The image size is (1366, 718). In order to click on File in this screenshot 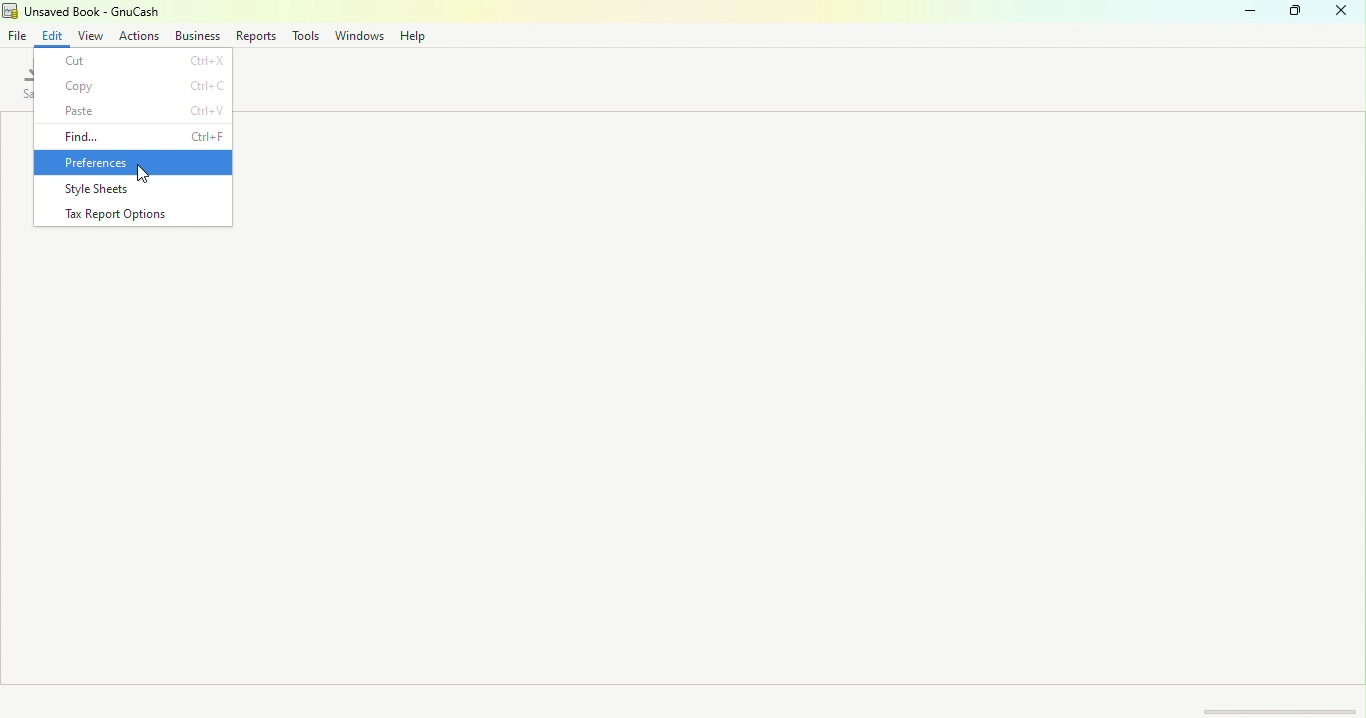, I will do `click(18, 38)`.